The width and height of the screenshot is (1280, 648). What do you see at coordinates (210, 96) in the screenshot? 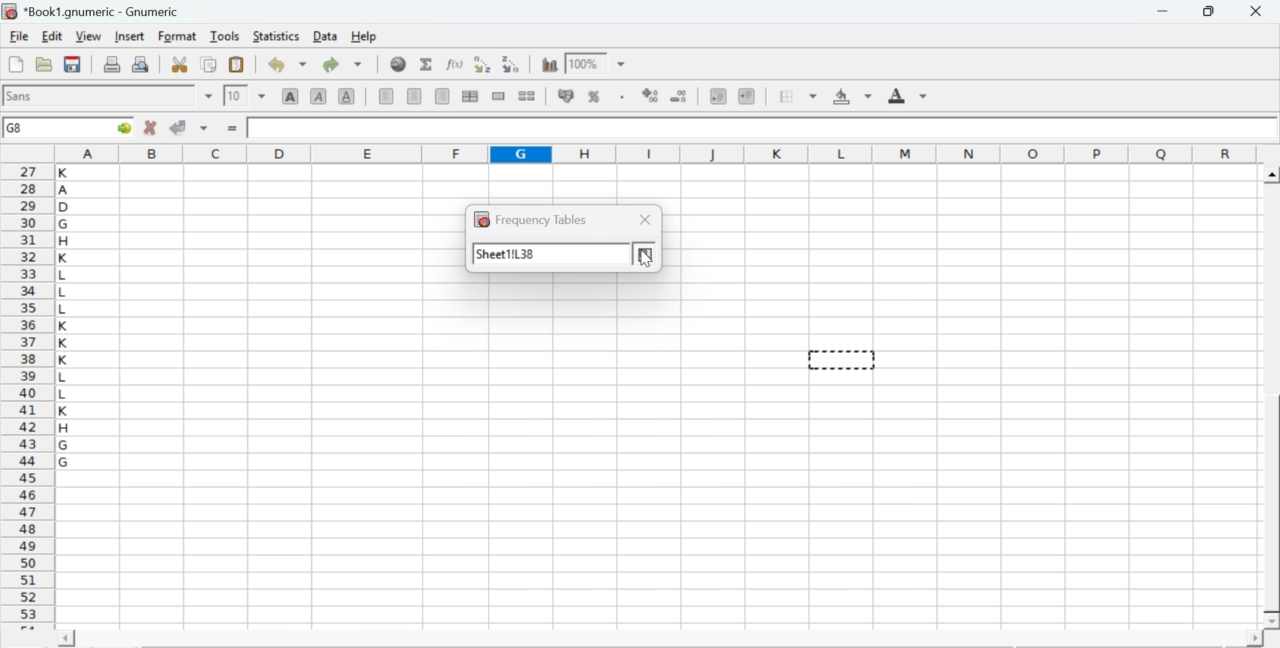
I see `drop down` at bounding box center [210, 96].